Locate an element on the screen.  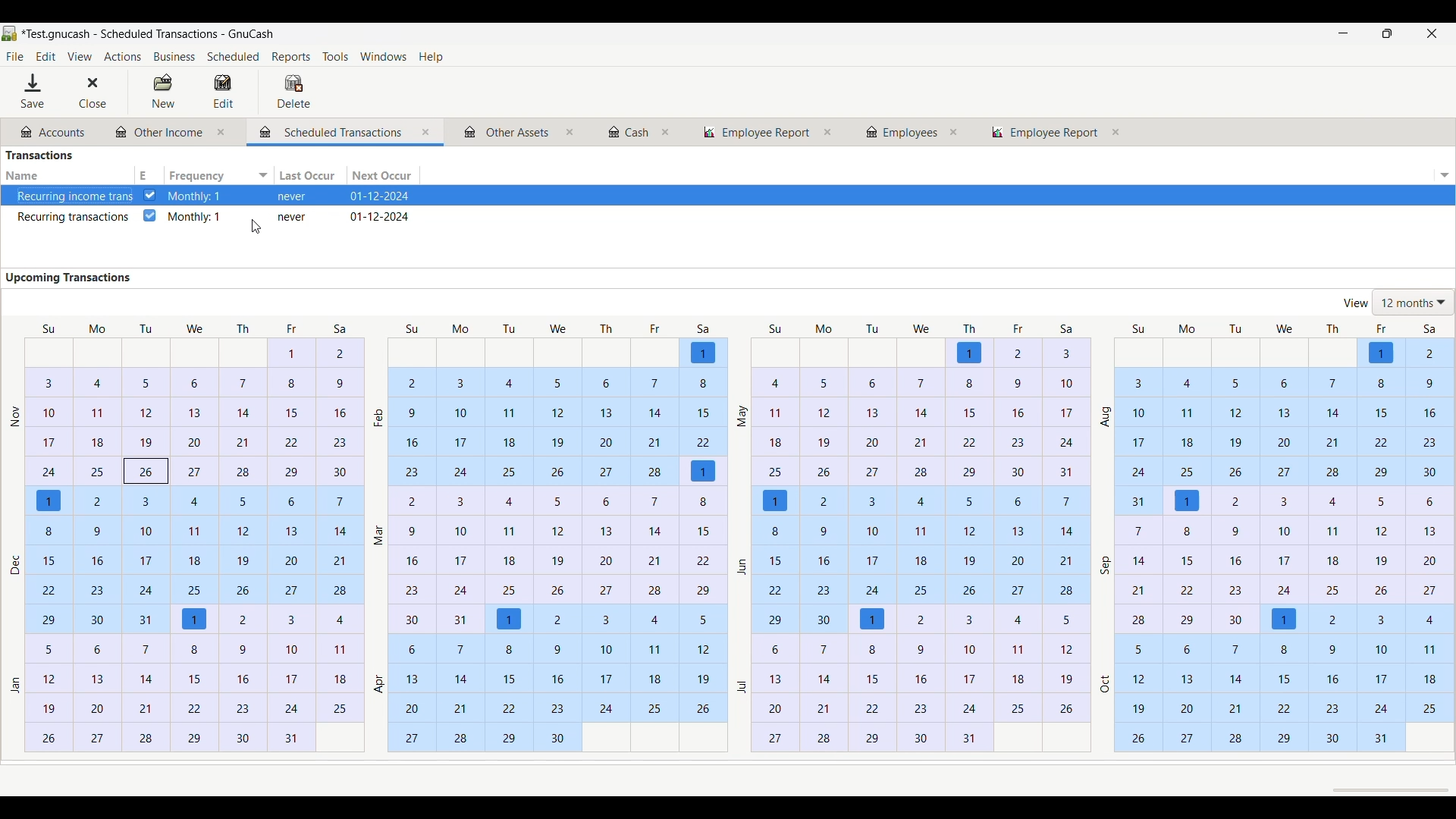
never is located at coordinates (293, 220).